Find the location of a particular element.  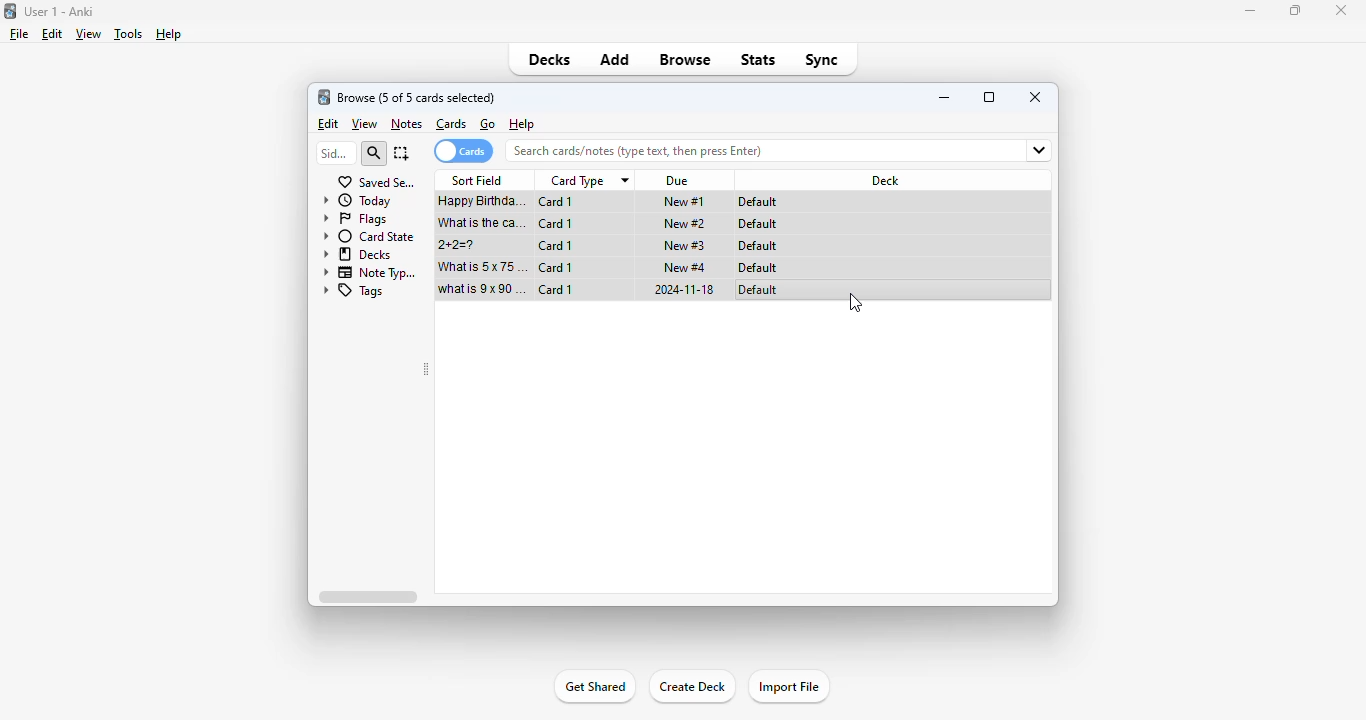

help is located at coordinates (522, 123).